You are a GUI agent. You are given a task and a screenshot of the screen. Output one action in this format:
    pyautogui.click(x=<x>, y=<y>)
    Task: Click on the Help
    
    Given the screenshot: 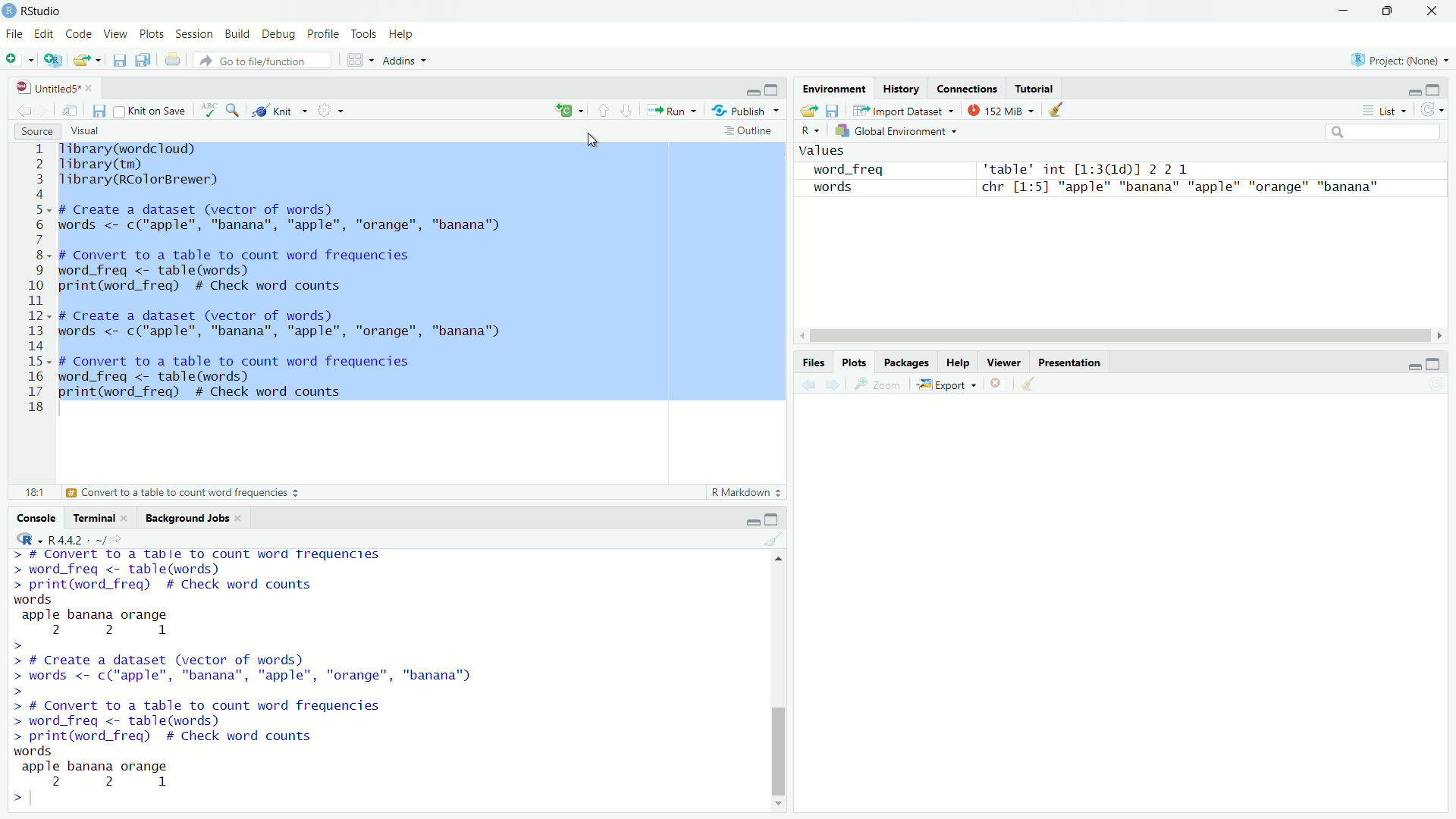 What is the action you would take?
    pyautogui.click(x=404, y=34)
    